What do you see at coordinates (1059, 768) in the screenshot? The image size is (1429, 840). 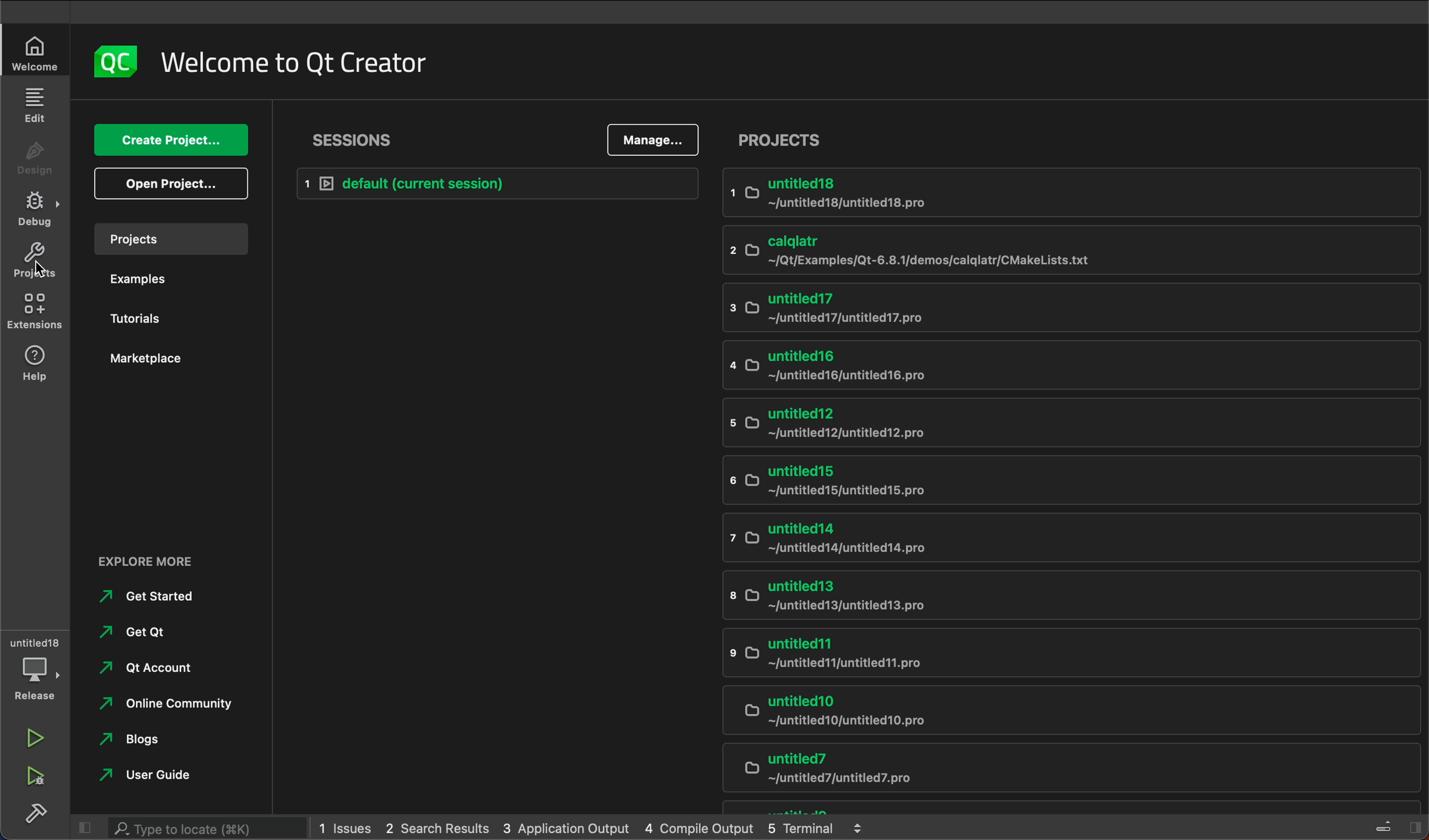 I see `untitled7` at bounding box center [1059, 768].